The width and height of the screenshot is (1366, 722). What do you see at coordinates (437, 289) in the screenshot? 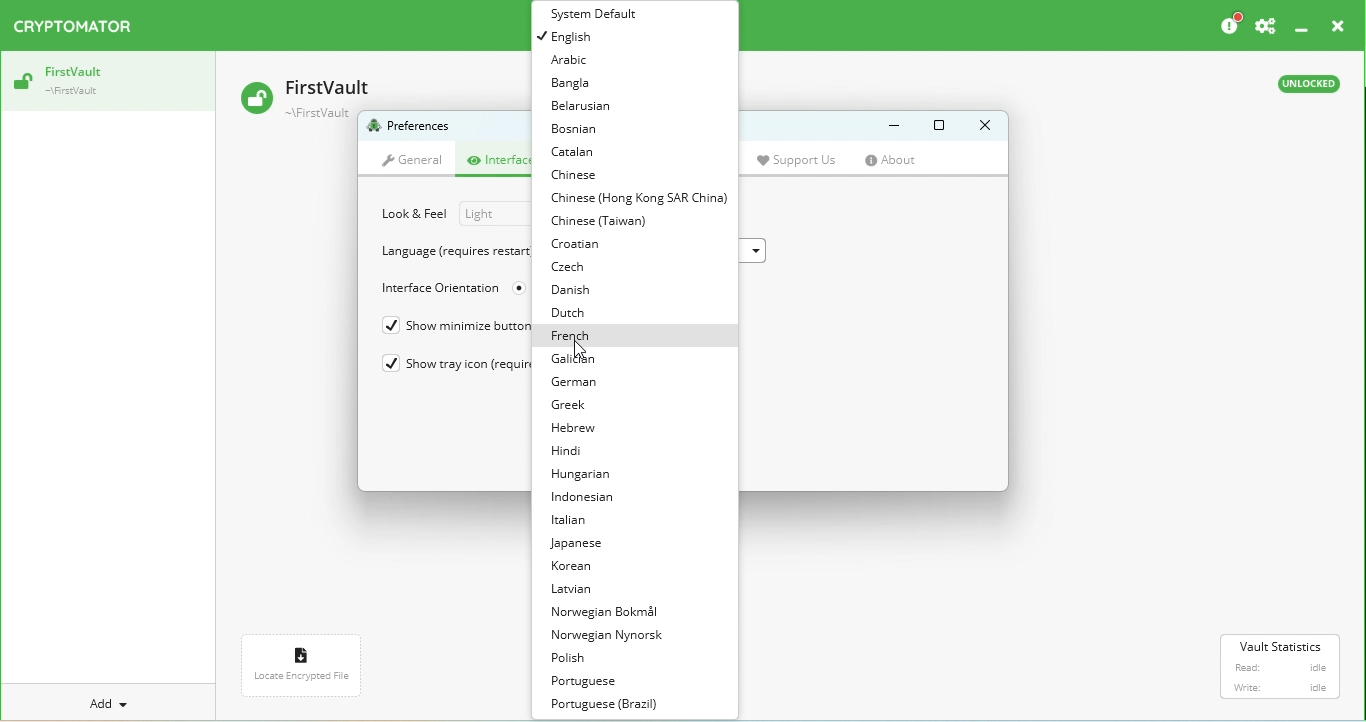
I see `Interface orientation` at bounding box center [437, 289].